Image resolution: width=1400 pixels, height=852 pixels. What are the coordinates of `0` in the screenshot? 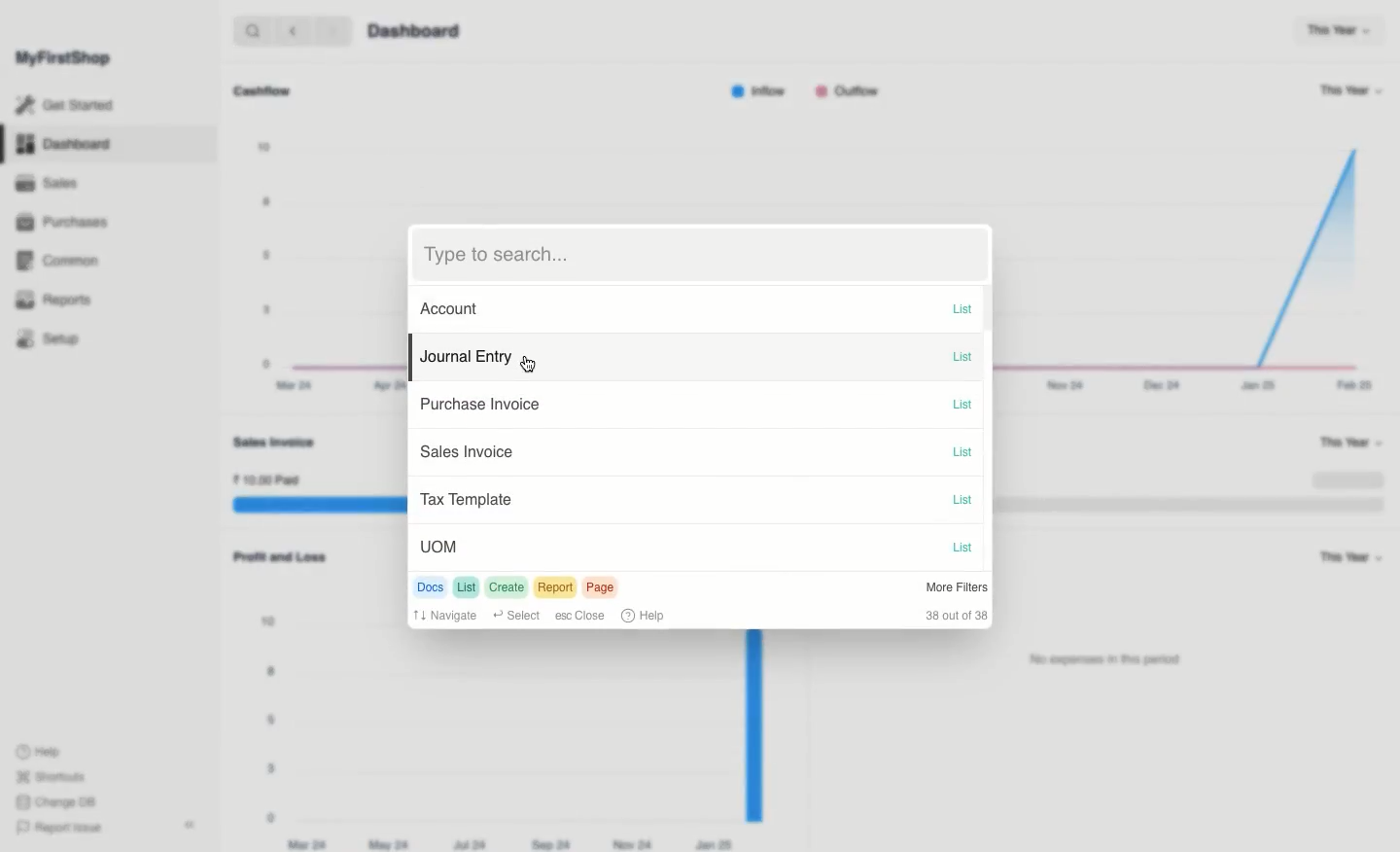 It's located at (264, 362).